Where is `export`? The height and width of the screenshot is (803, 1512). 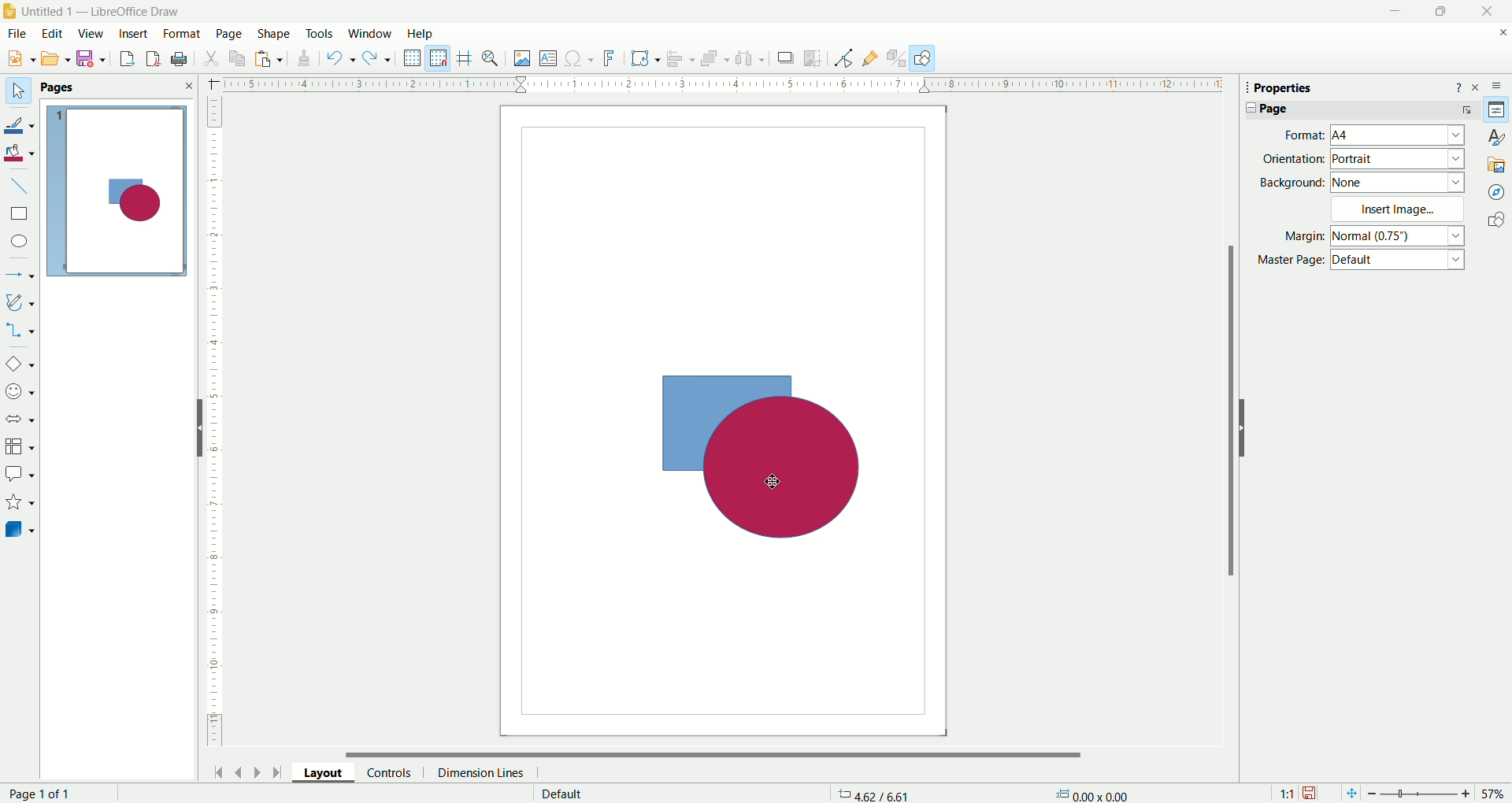
export is located at coordinates (122, 60).